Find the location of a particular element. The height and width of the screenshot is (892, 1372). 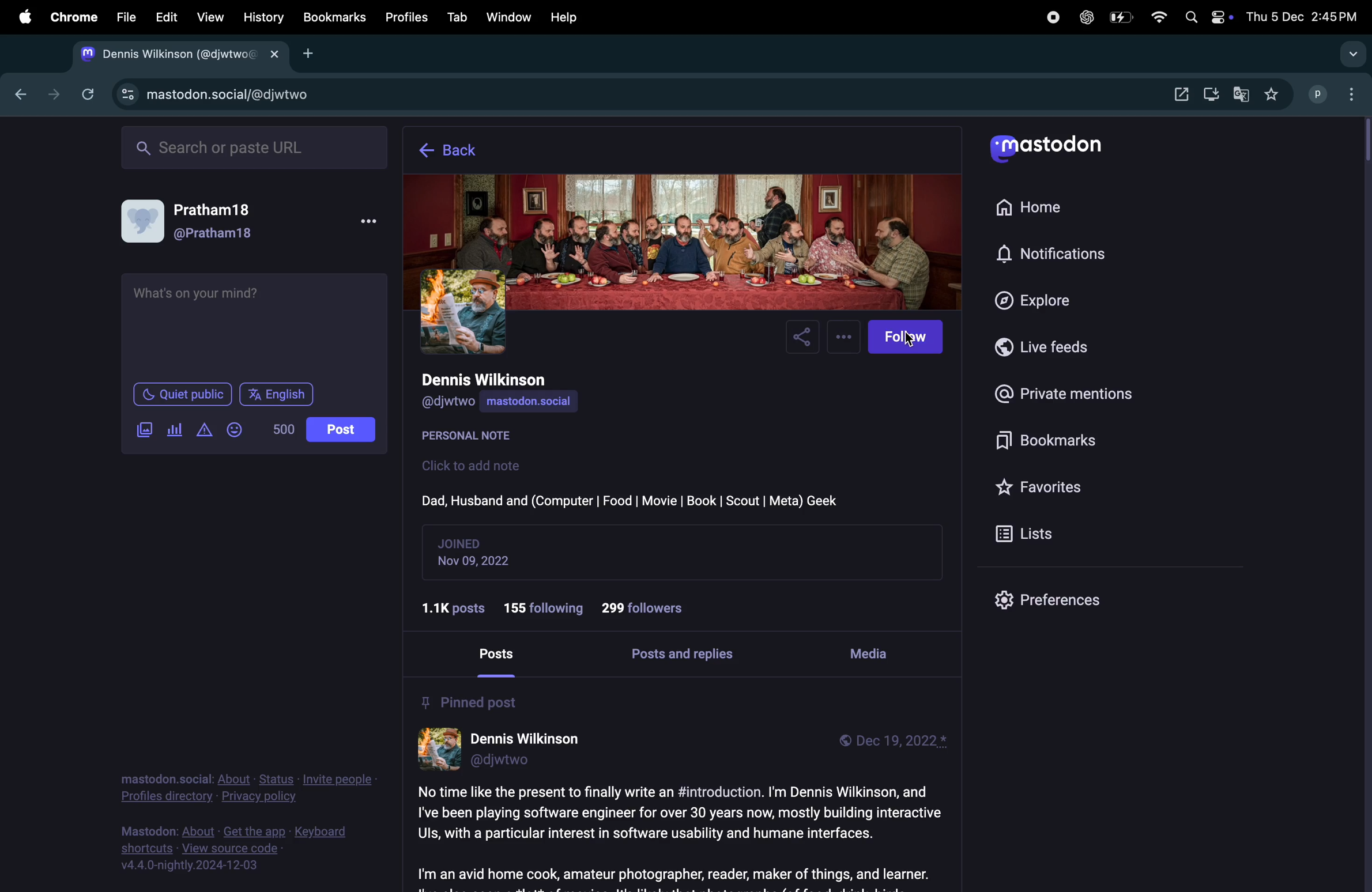

profile pic is located at coordinates (463, 310).